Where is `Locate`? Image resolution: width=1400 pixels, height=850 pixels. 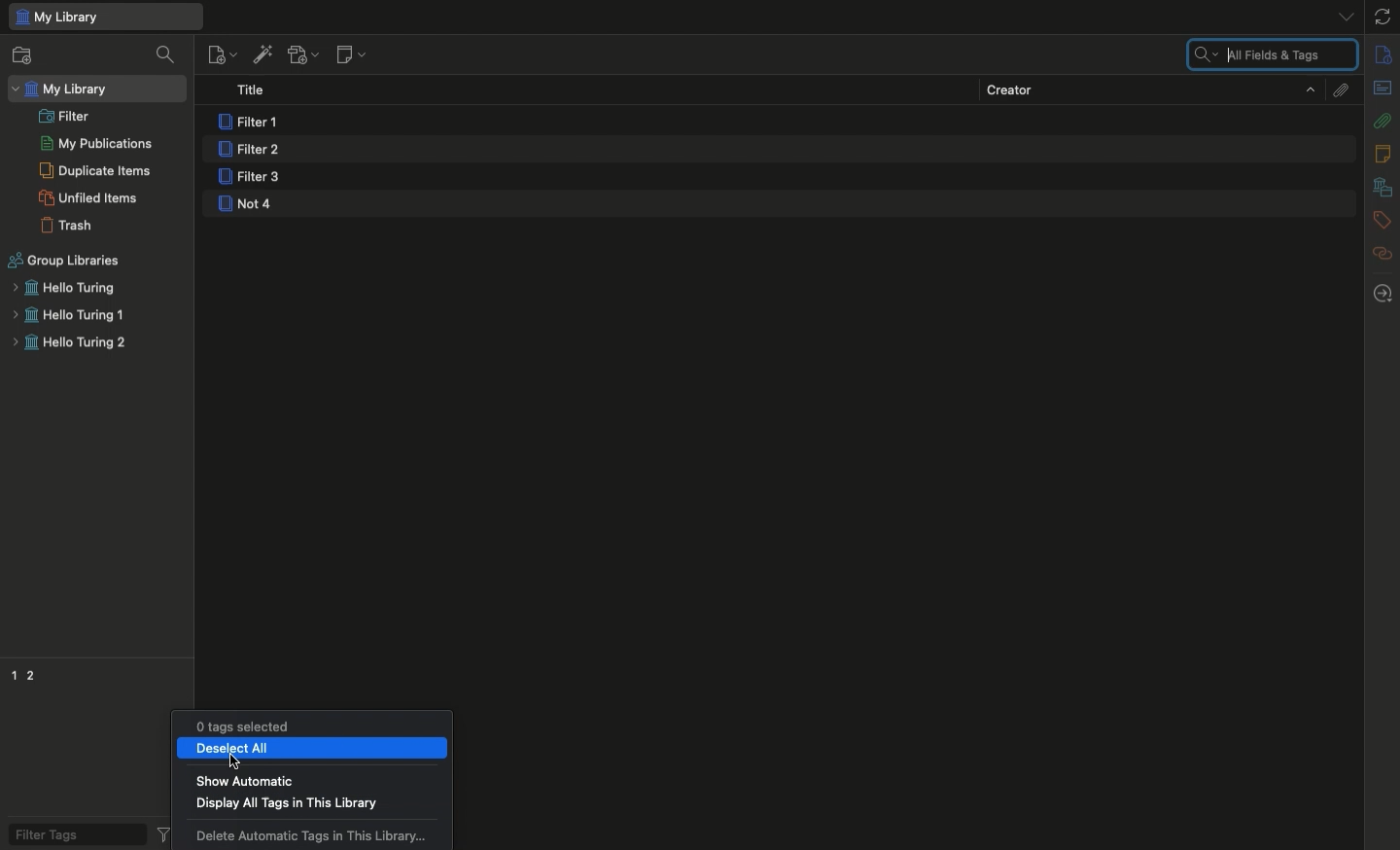
Locate is located at coordinates (1382, 294).